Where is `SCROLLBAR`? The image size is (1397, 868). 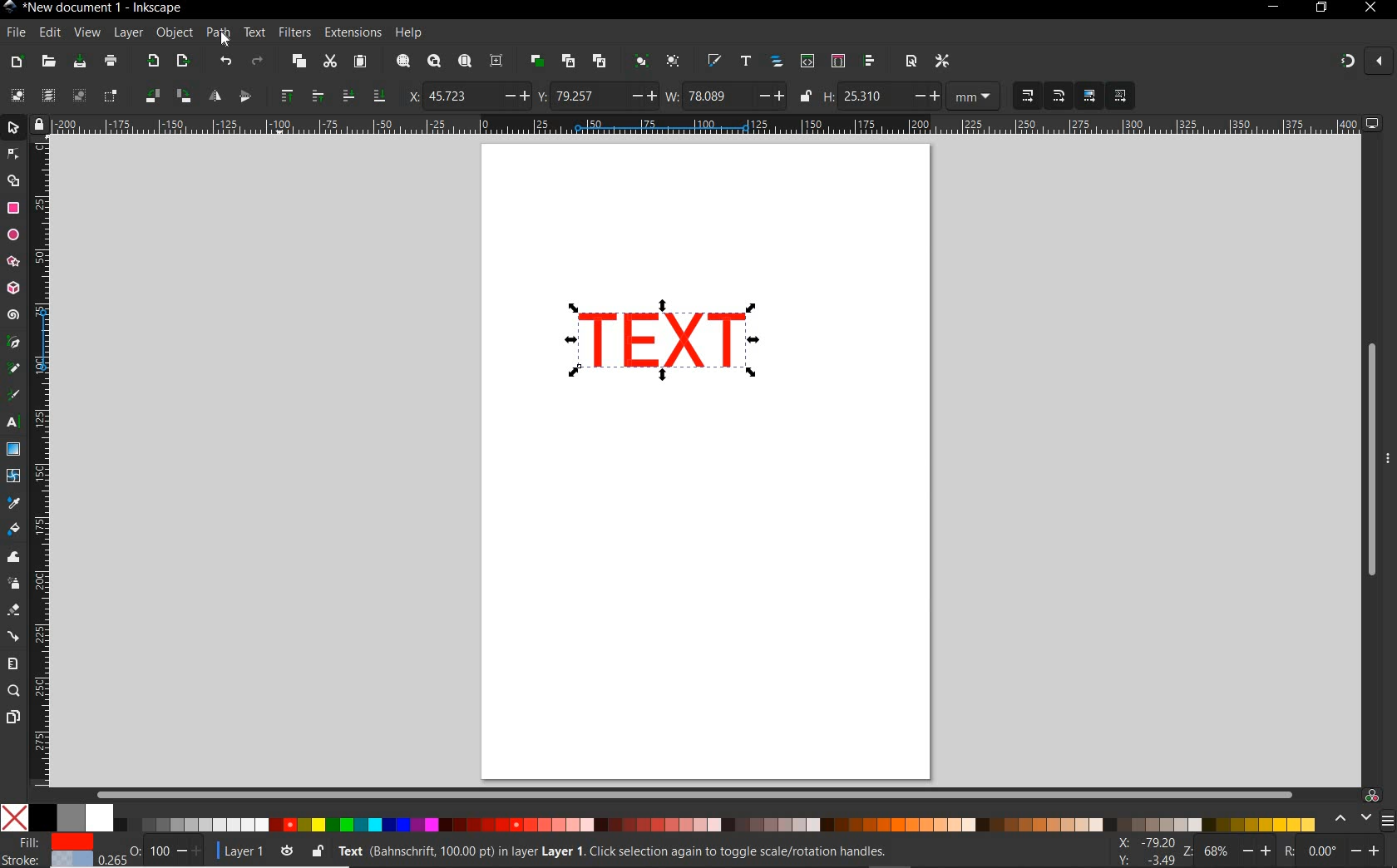
SCROLLBAR is located at coordinates (1365, 458).